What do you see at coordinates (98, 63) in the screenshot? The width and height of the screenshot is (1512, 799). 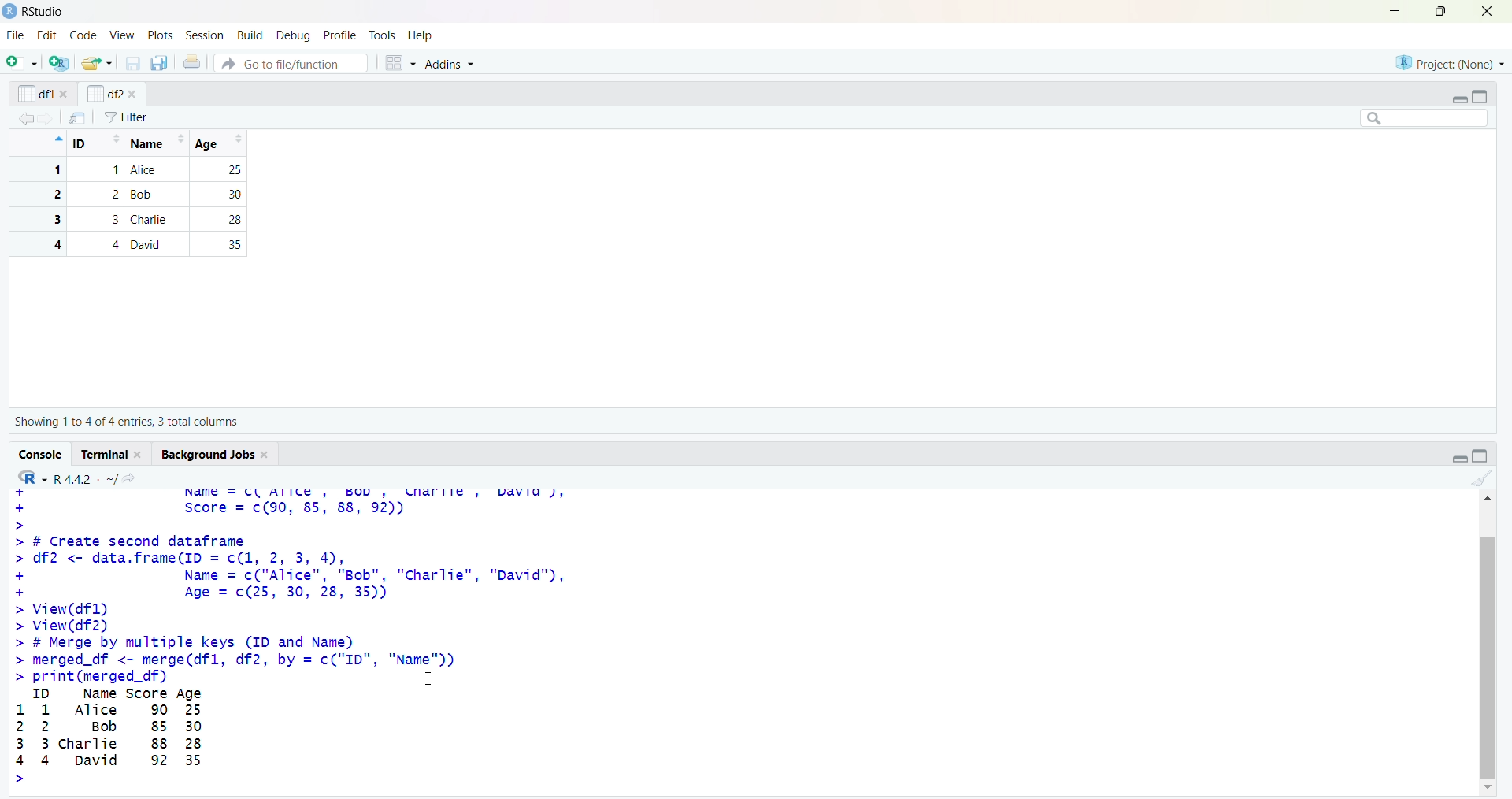 I see `share folder as` at bounding box center [98, 63].